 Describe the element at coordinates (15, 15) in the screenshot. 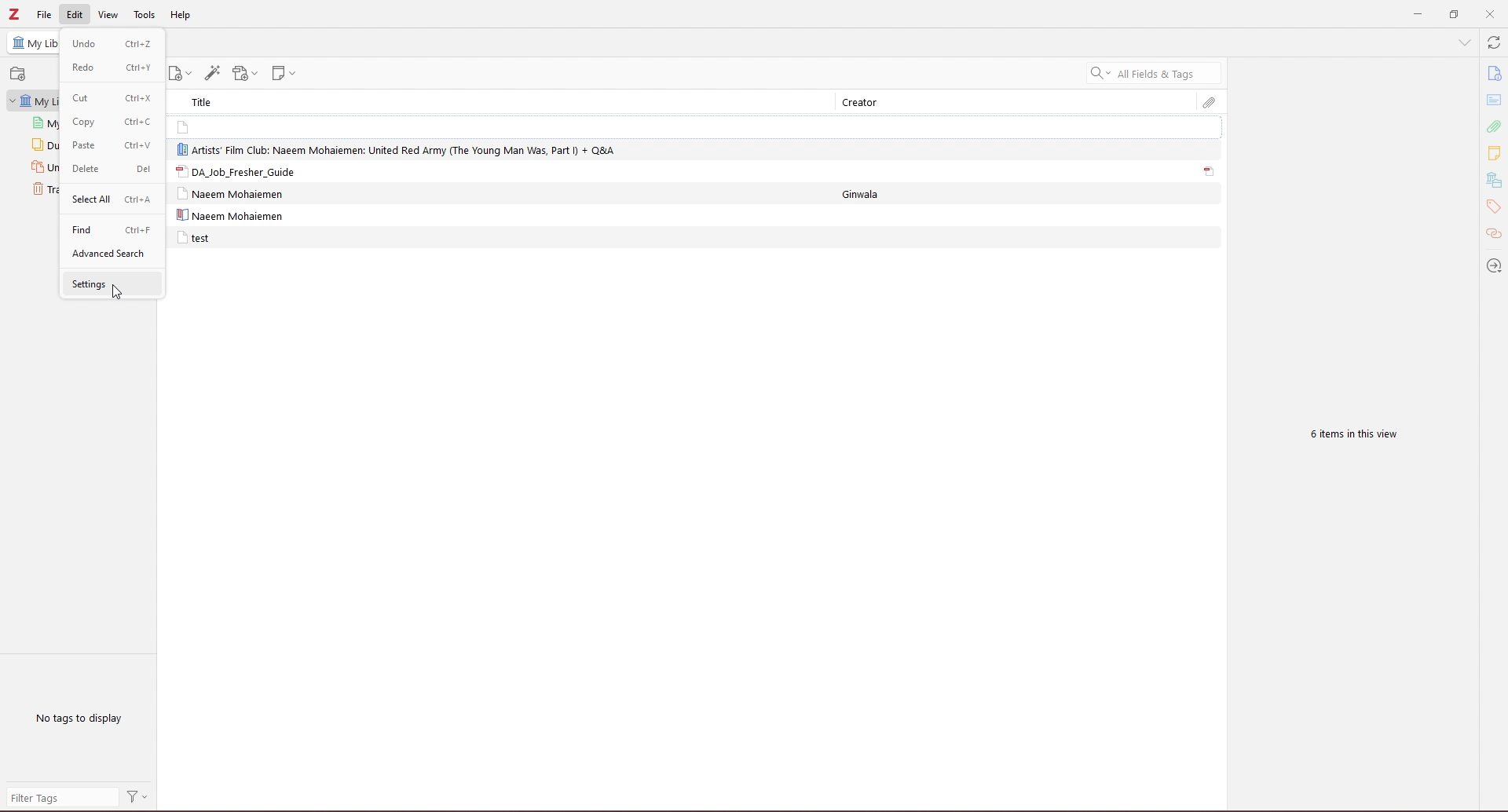

I see `zotero` at that location.